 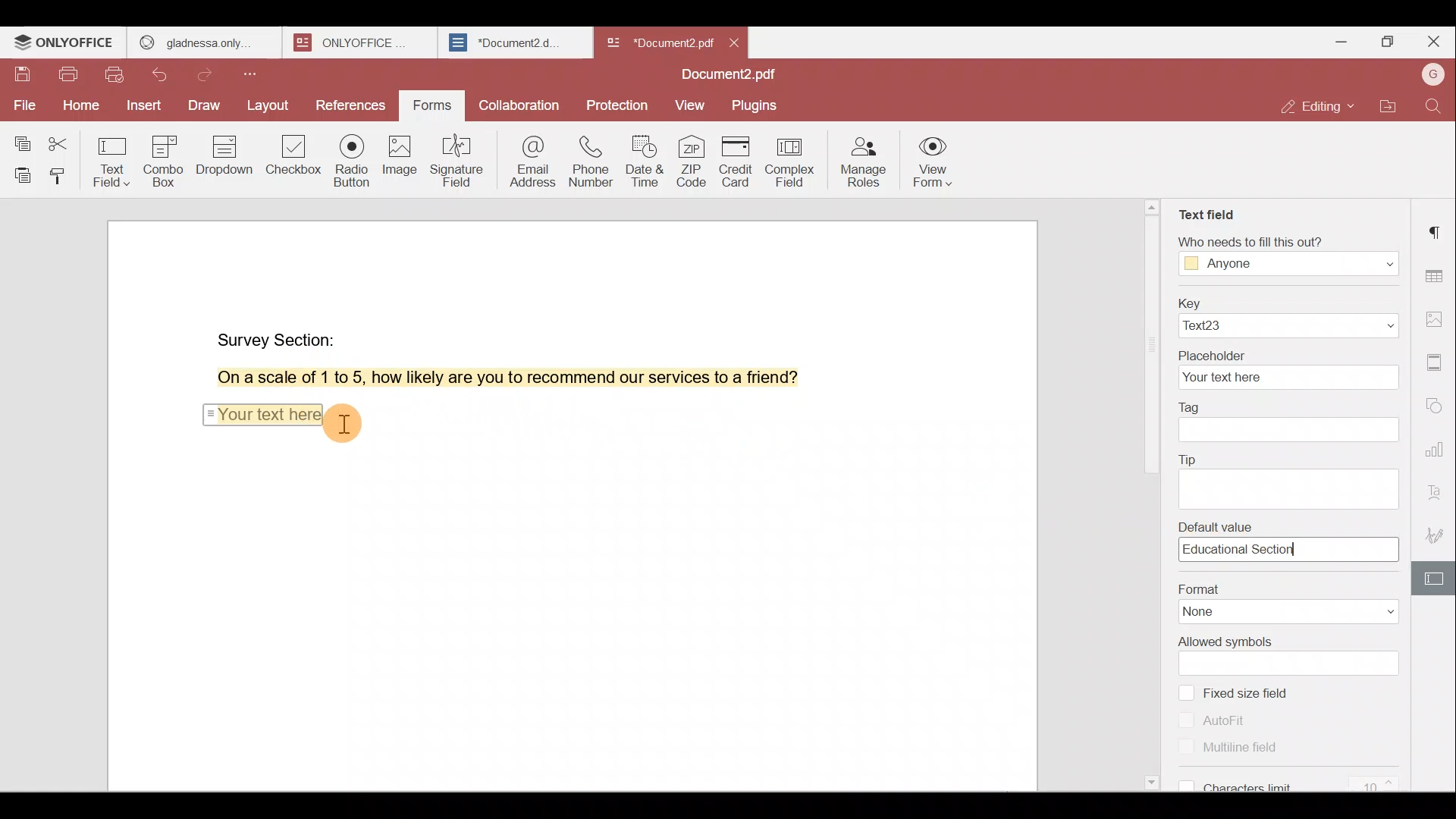 What do you see at coordinates (620, 101) in the screenshot?
I see `Protection` at bounding box center [620, 101].